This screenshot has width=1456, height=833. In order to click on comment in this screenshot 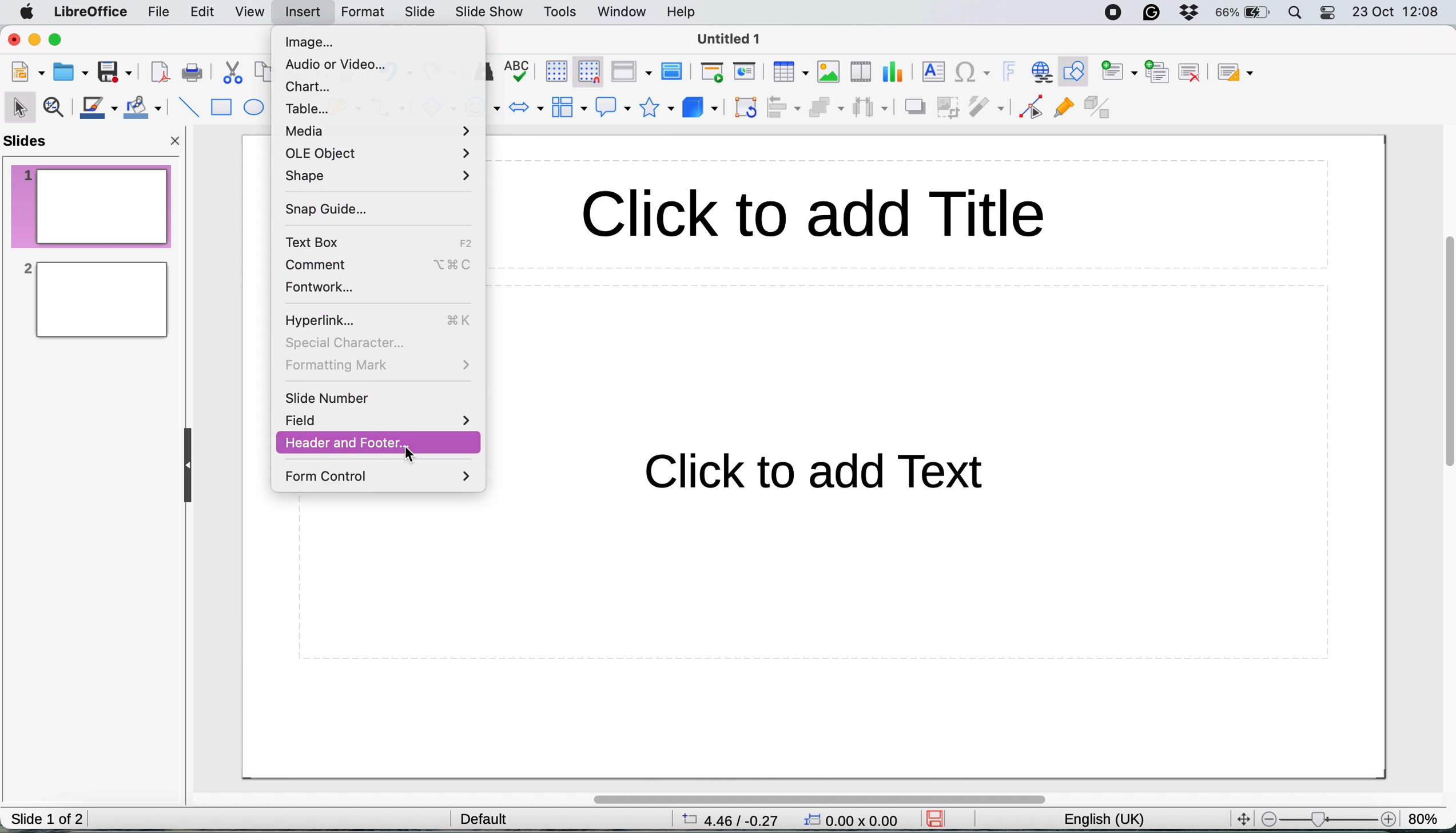, I will do `click(326, 264)`.